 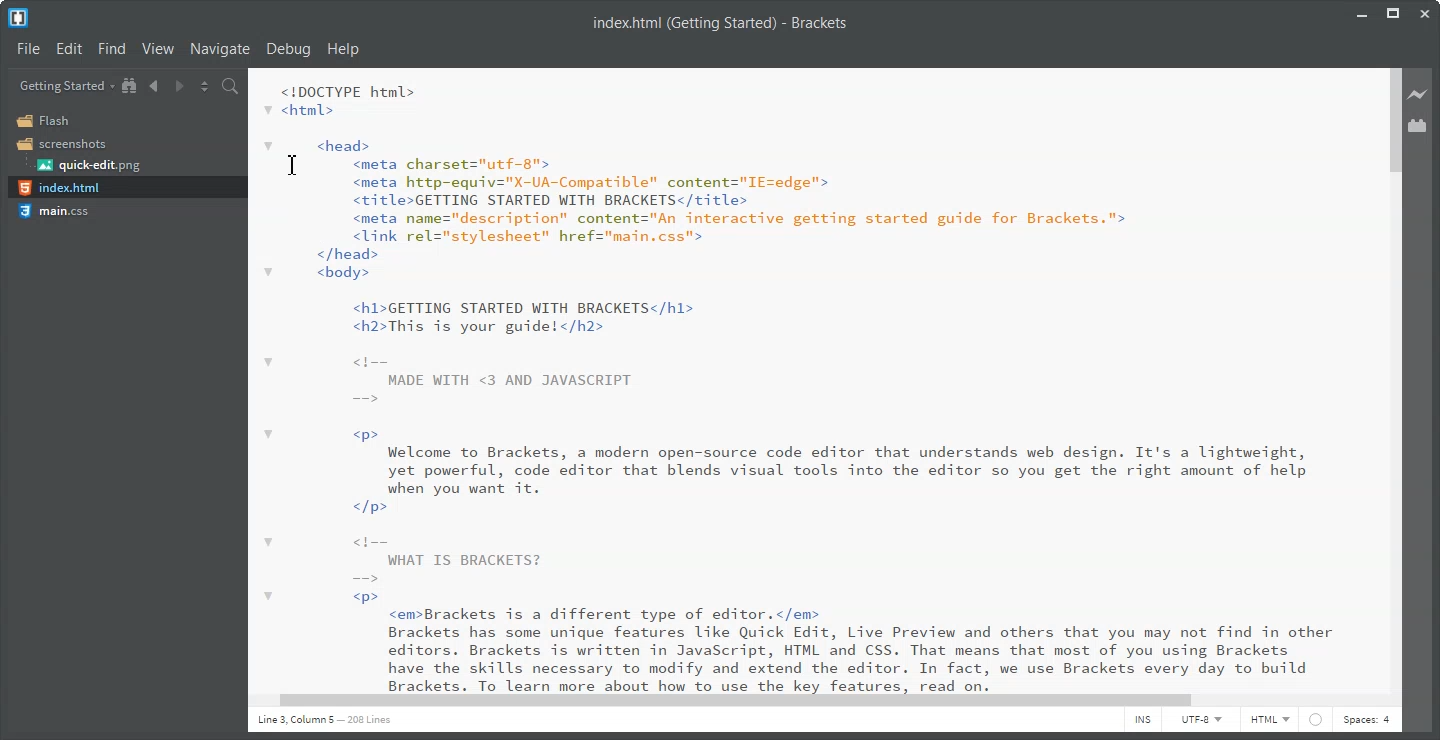 What do you see at coordinates (1425, 12) in the screenshot?
I see `Close` at bounding box center [1425, 12].